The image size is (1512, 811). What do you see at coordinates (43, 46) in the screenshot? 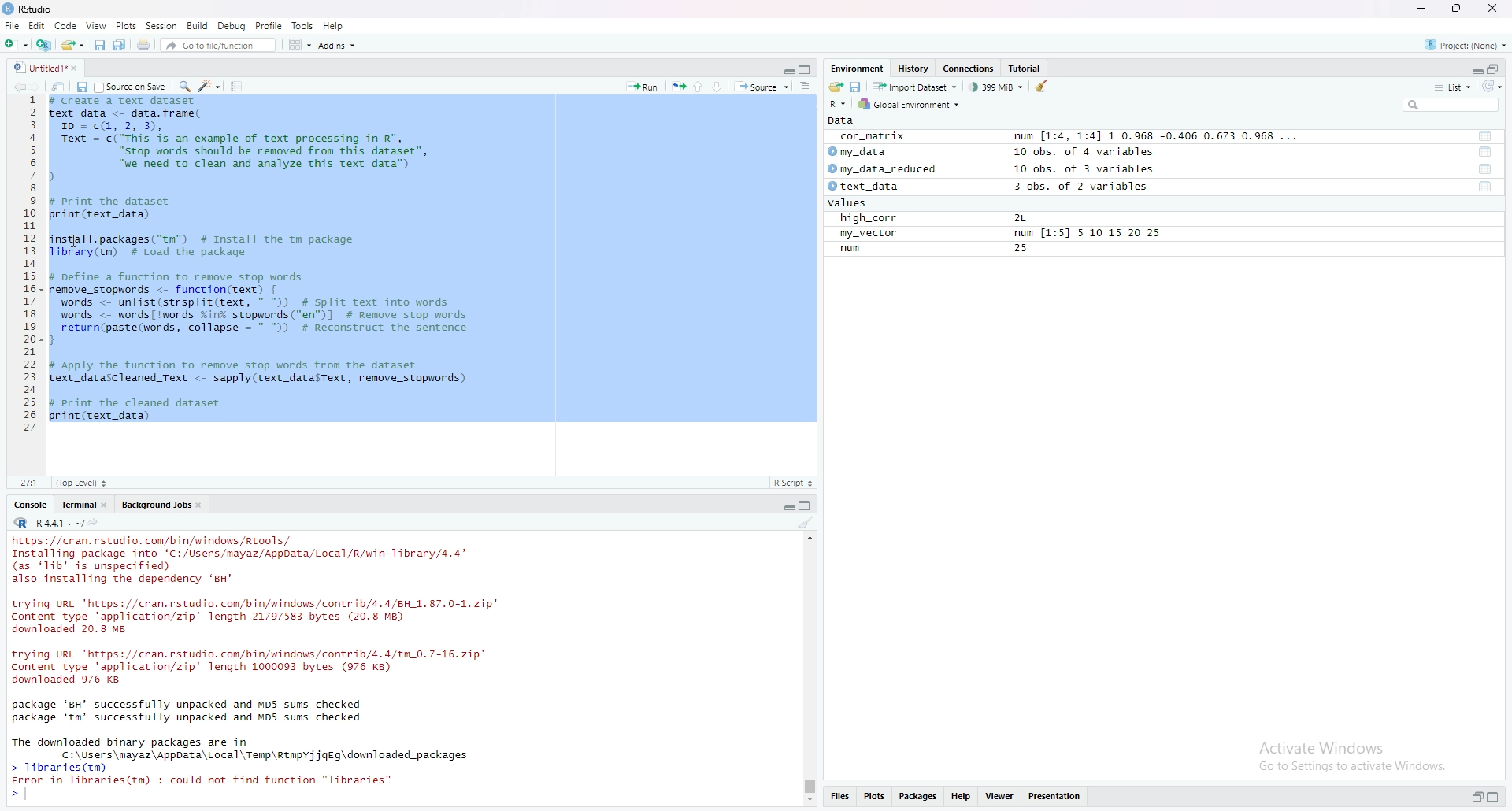
I see `create a project` at bounding box center [43, 46].